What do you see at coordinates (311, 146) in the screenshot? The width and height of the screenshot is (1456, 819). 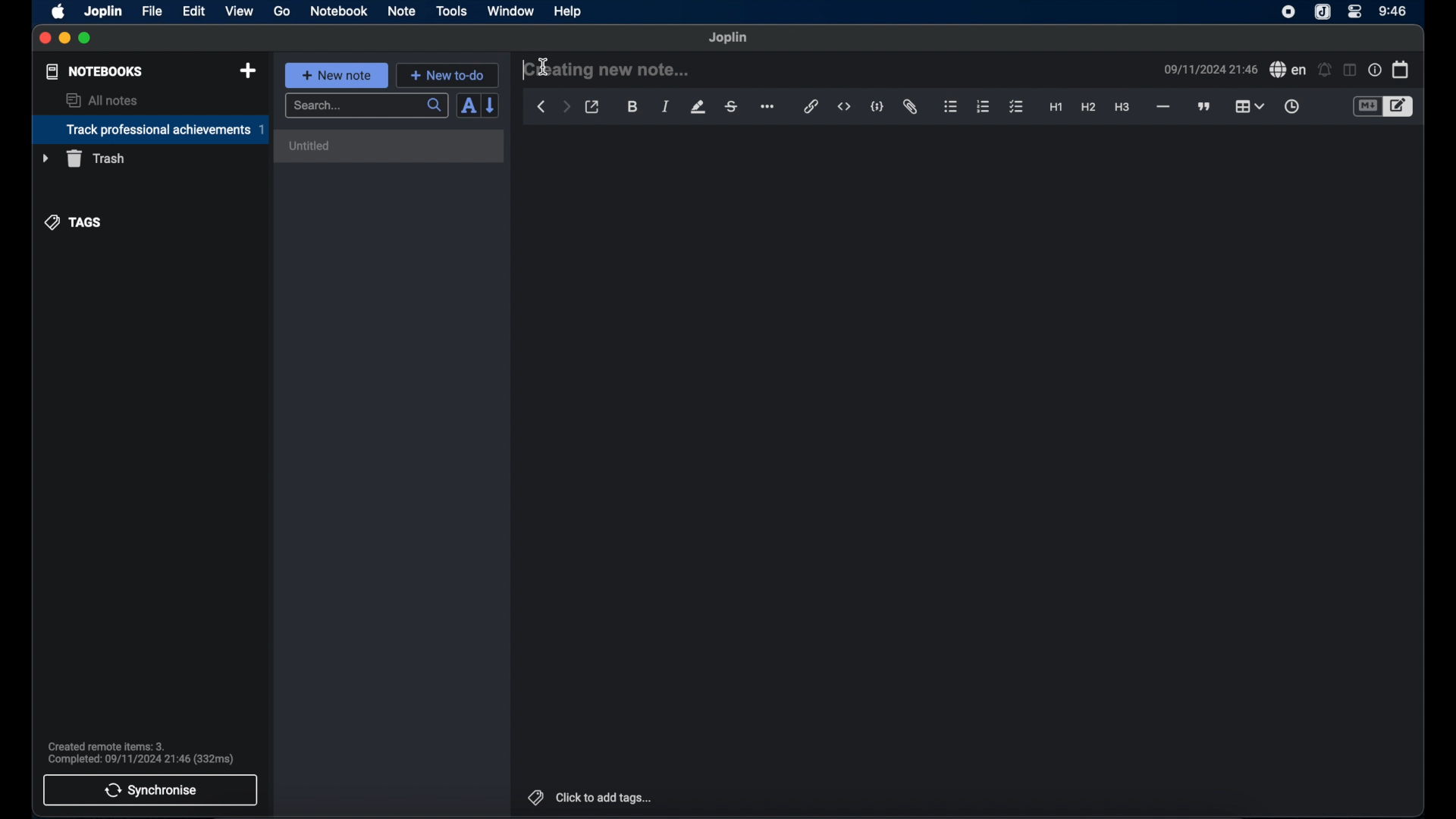 I see `untitled` at bounding box center [311, 146].